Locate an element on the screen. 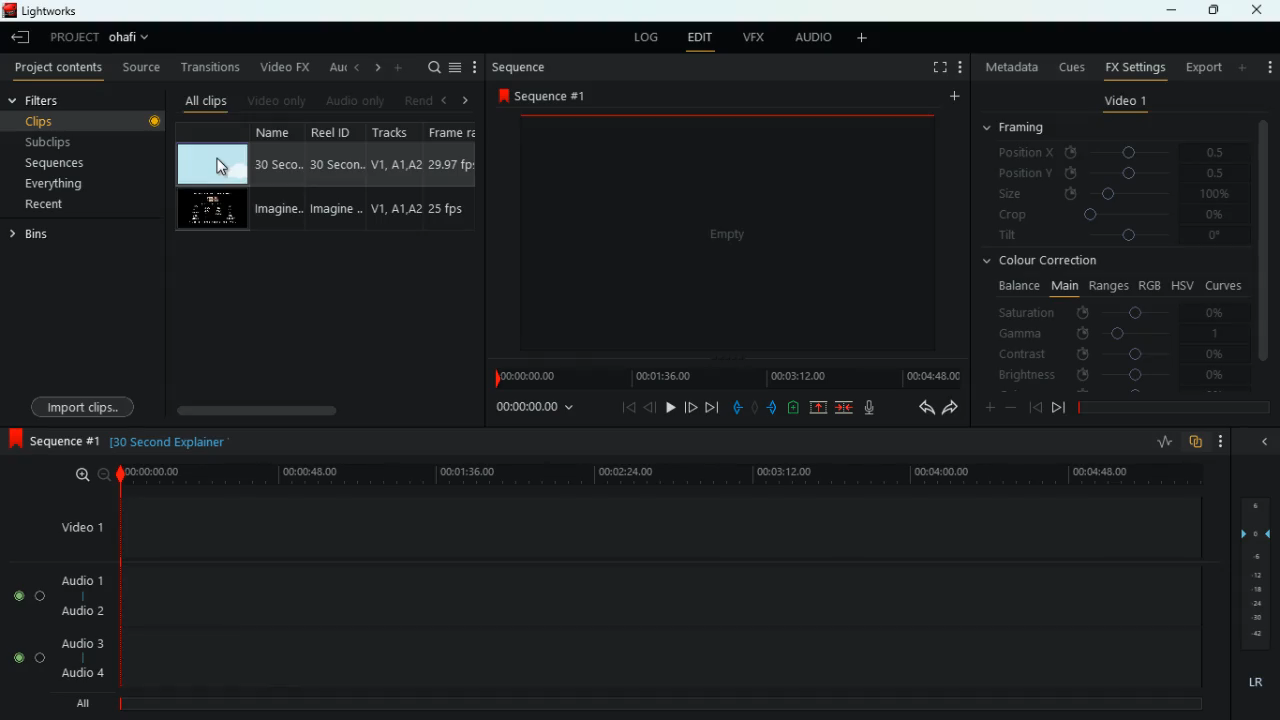 This screenshot has width=1280, height=720. forward is located at coordinates (950, 407).